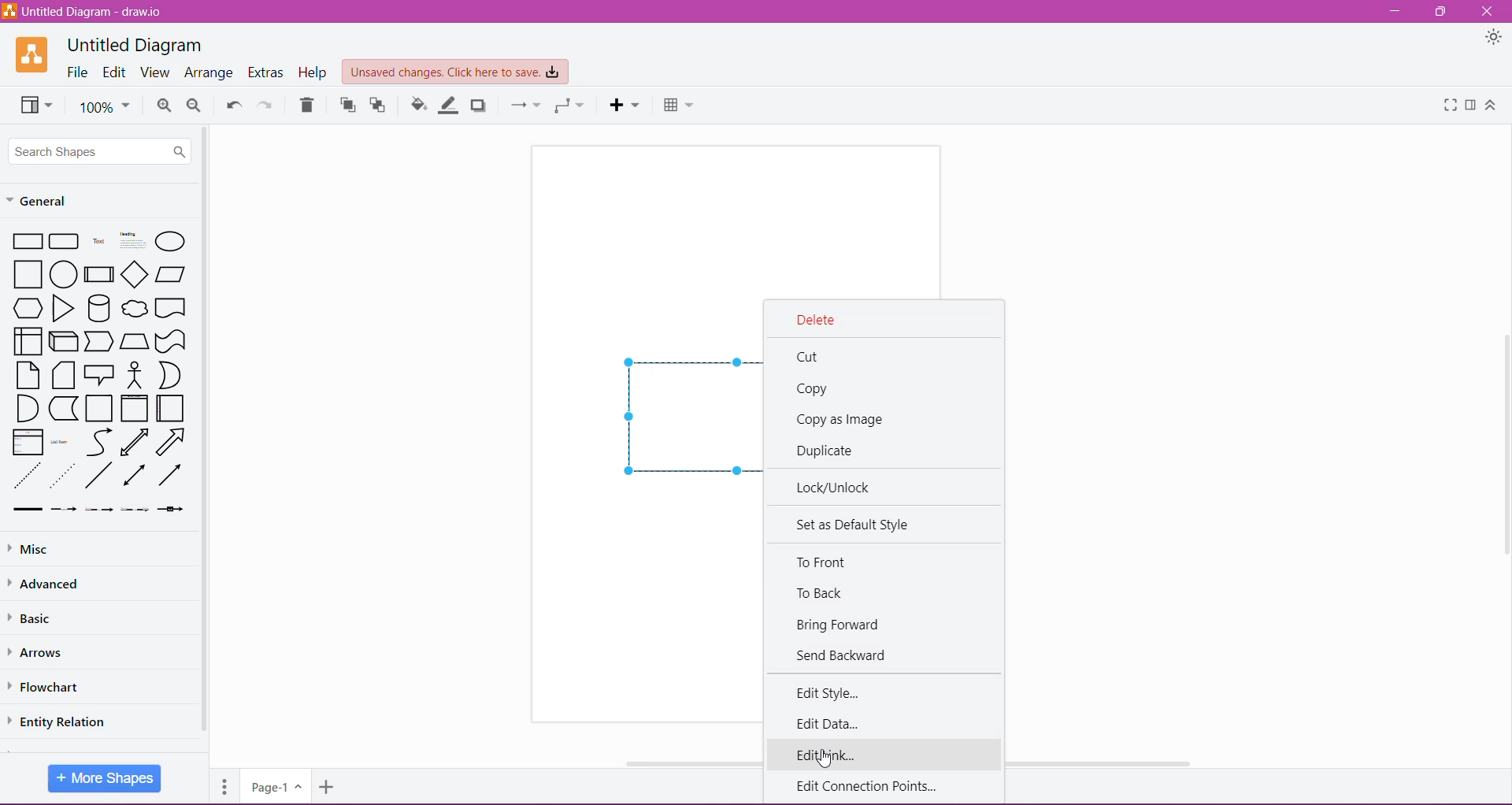 The width and height of the screenshot is (1512, 805). What do you see at coordinates (454, 72) in the screenshot?
I see `Unsaved Changes. Click here to save.` at bounding box center [454, 72].